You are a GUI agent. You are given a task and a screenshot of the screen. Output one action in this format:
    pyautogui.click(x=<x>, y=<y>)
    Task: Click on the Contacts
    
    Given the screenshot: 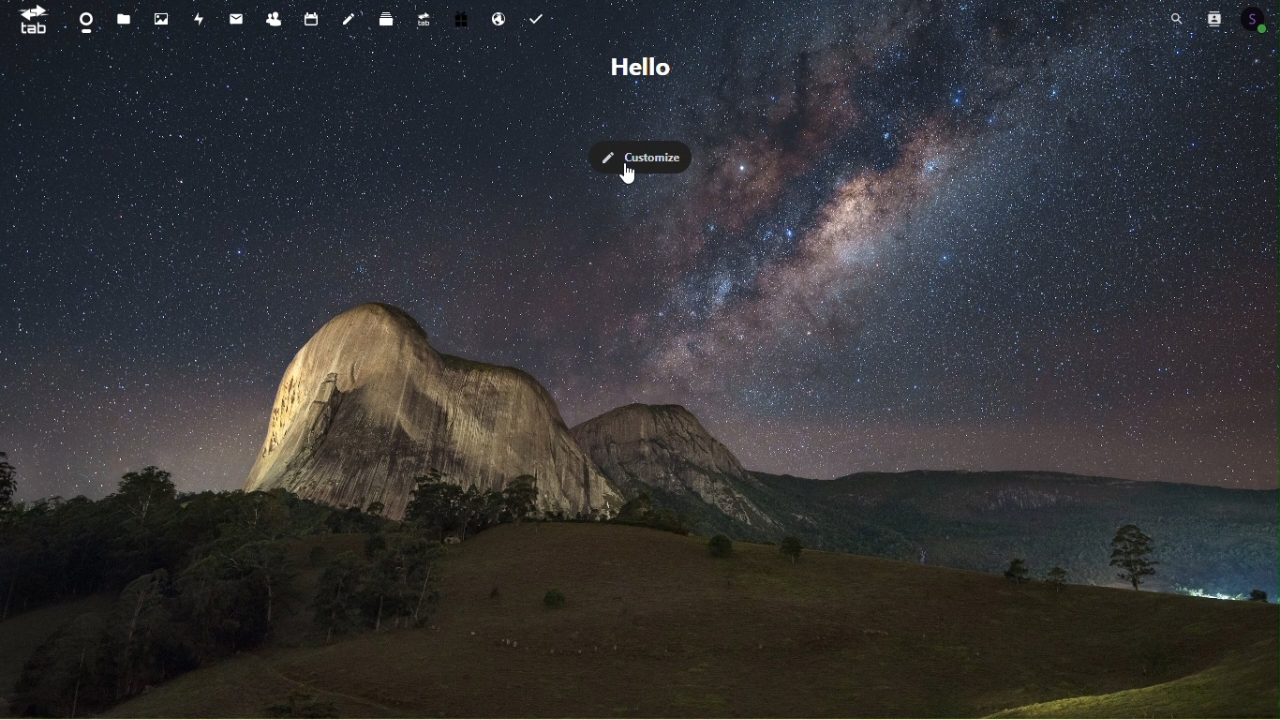 What is the action you would take?
    pyautogui.click(x=272, y=18)
    